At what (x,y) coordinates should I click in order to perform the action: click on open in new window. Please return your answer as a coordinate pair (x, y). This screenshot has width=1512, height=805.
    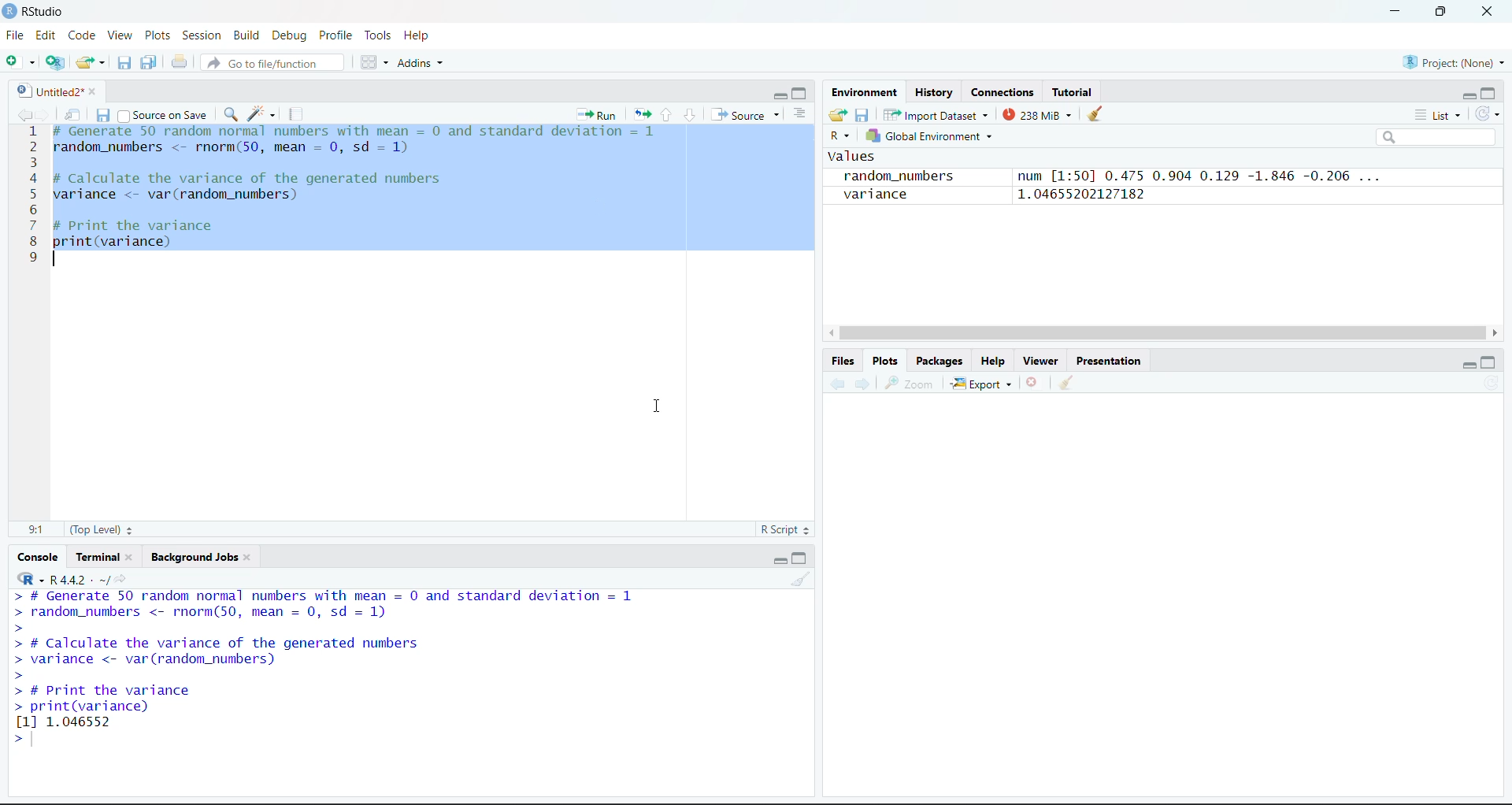
    Looking at the image, I should click on (73, 114).